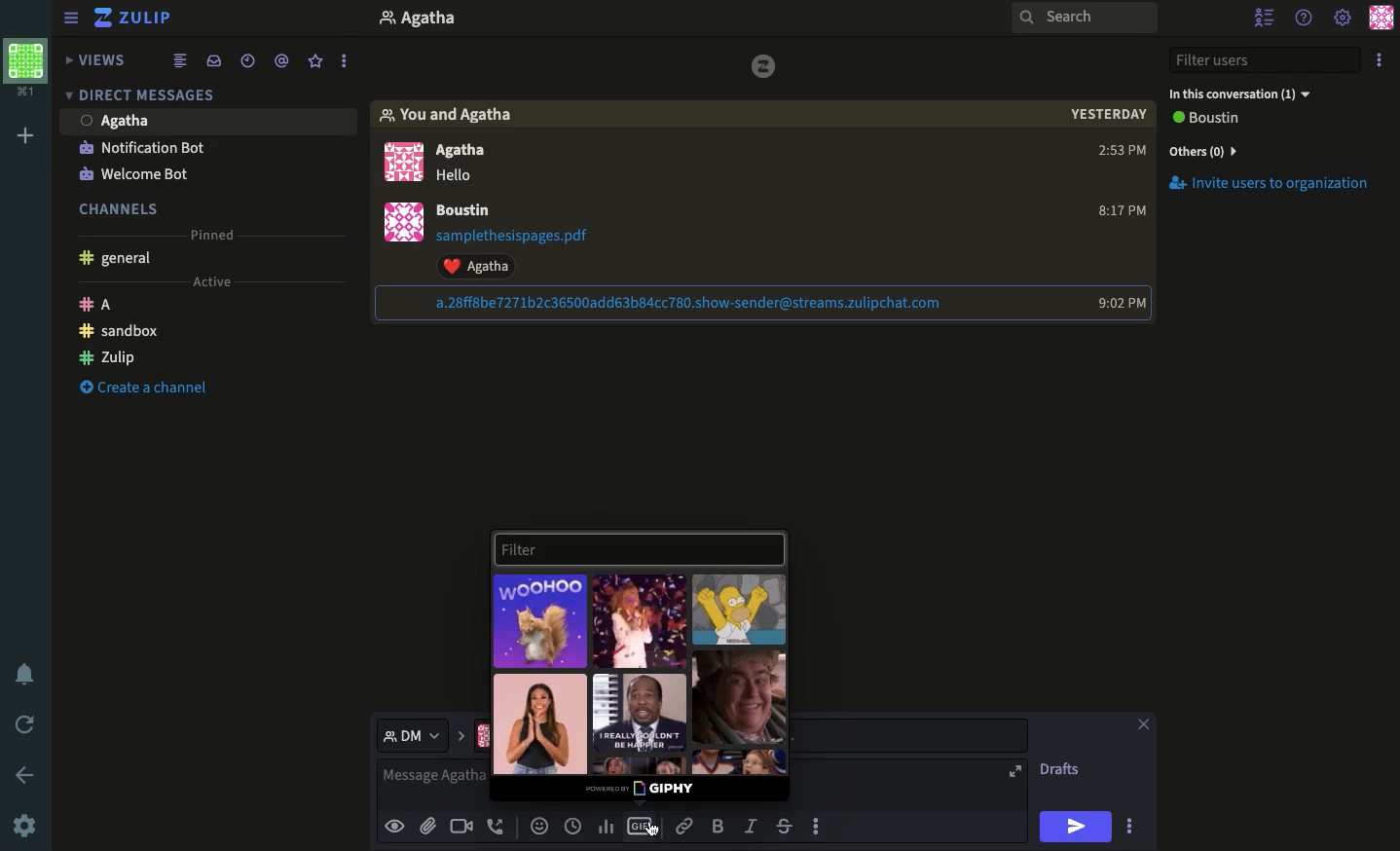  What do you see at coordinates (642, 825) in the screenshot?
I see `GIF` at bounding box center [642, 825].